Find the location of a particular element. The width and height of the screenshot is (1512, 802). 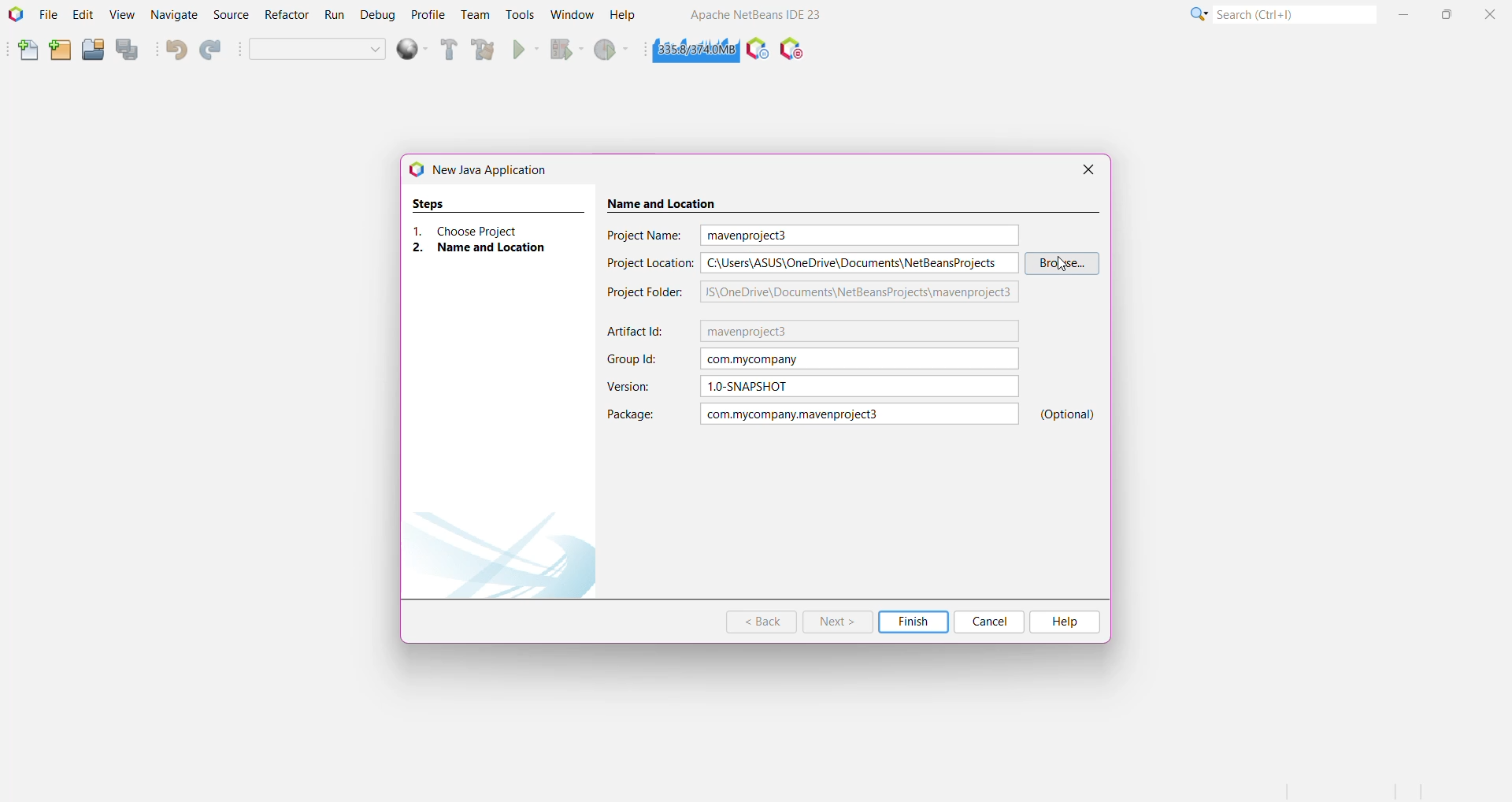

Help is located at coordinates (623, 16).